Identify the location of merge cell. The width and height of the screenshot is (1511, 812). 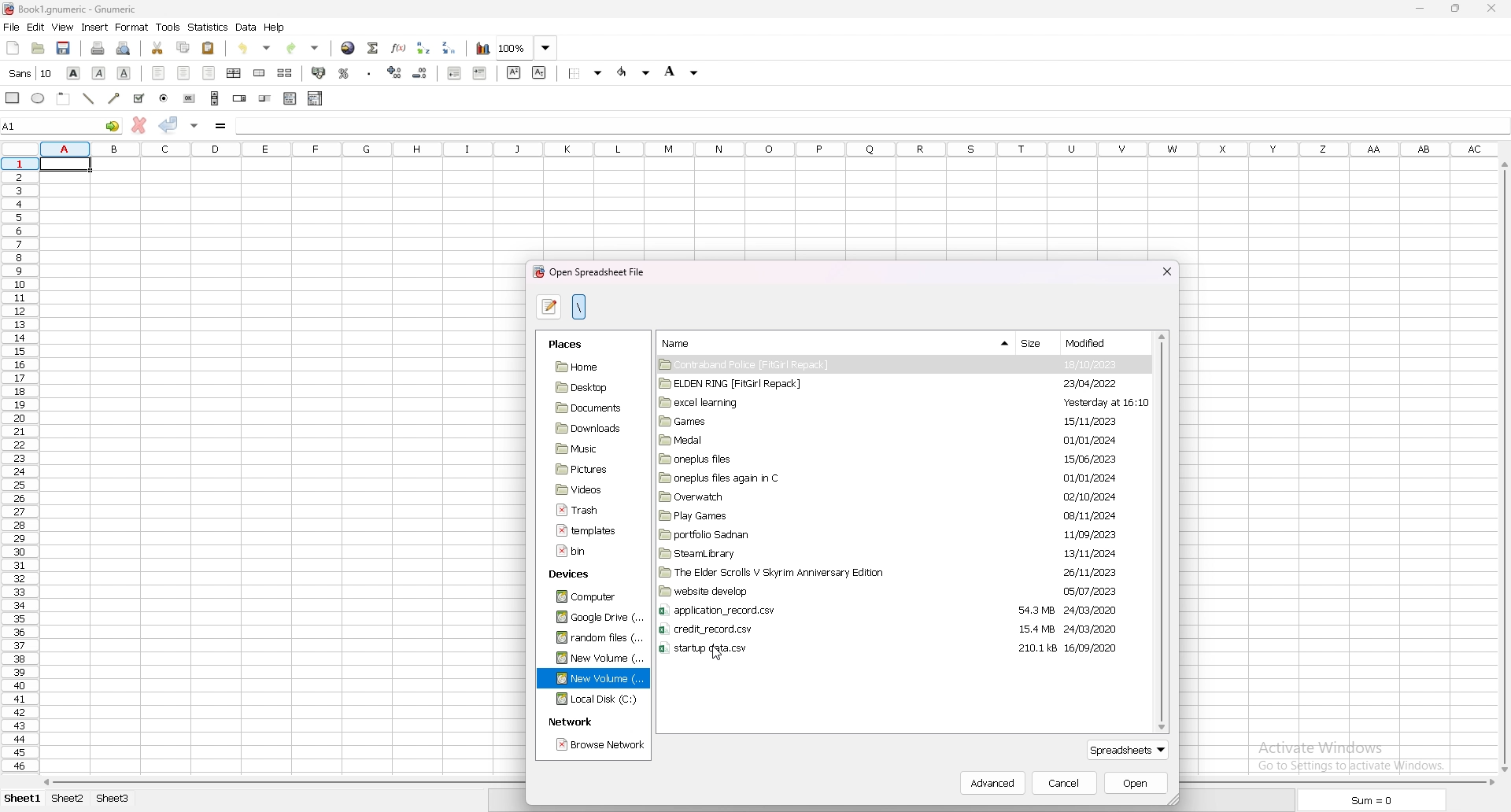
(261, 73).